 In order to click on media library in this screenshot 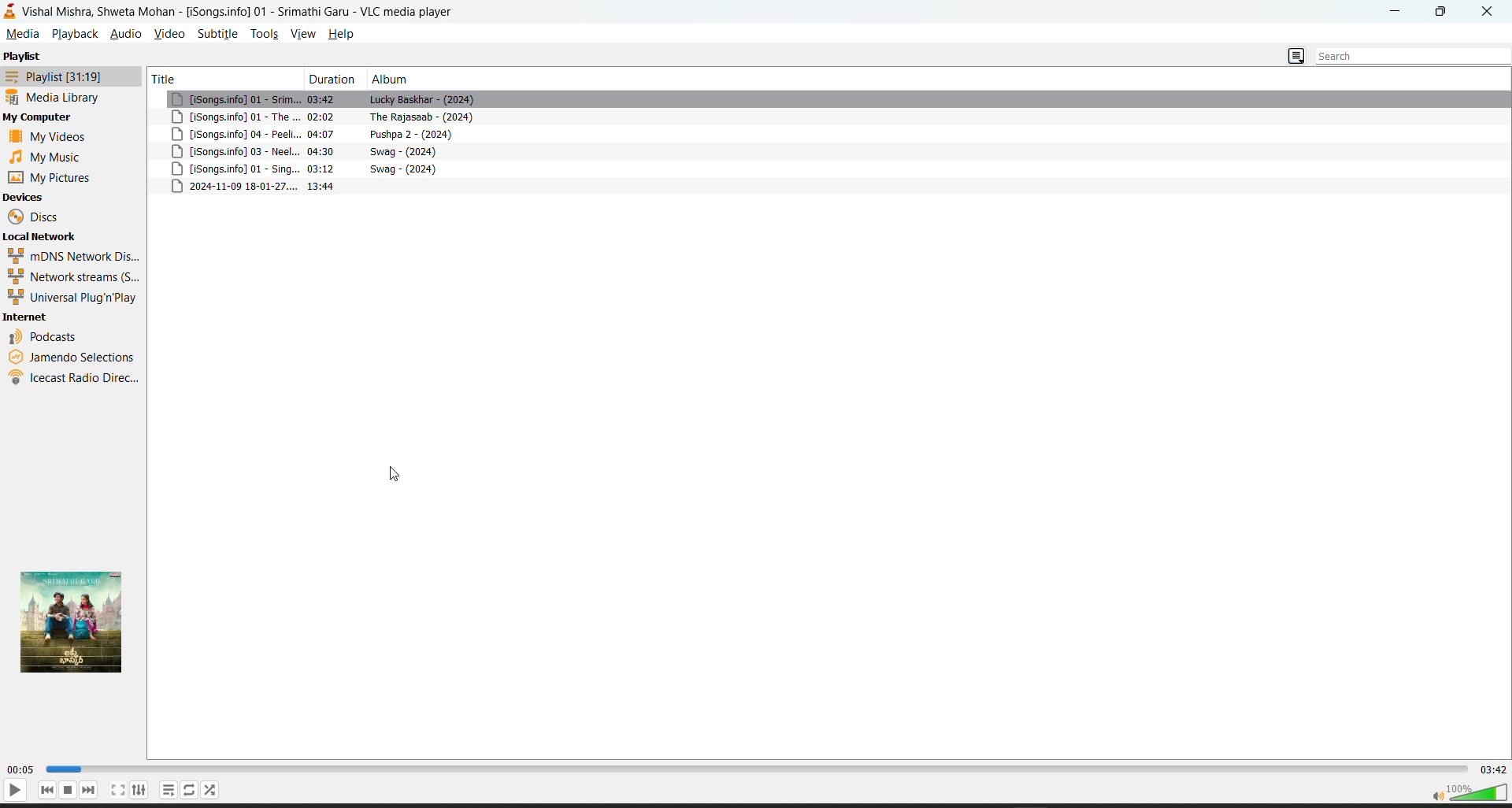, I will do `click(53, 96)`.